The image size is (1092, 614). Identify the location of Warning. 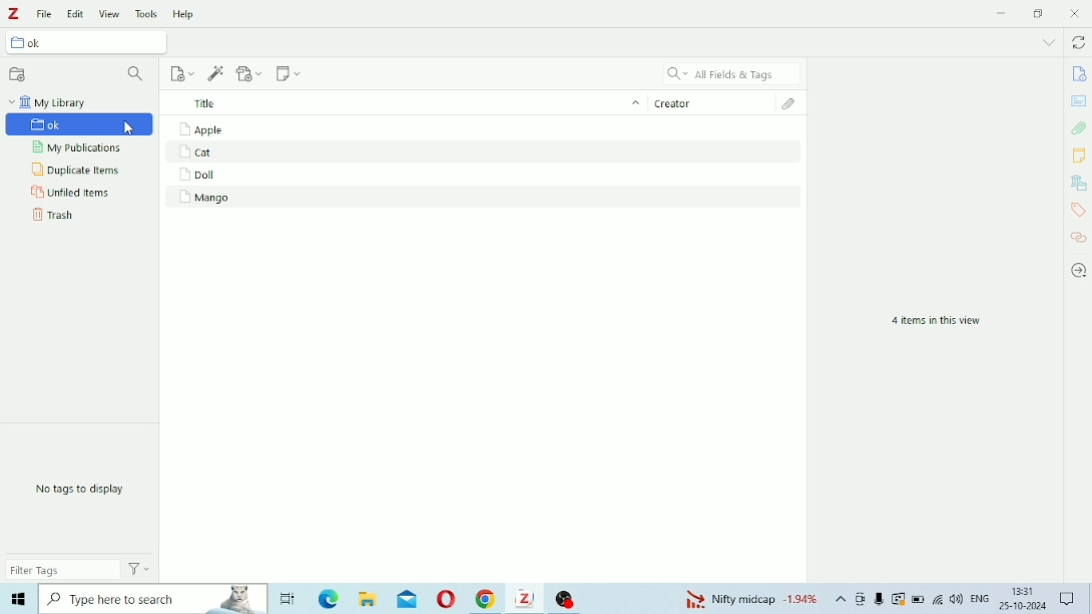
(899, 599).